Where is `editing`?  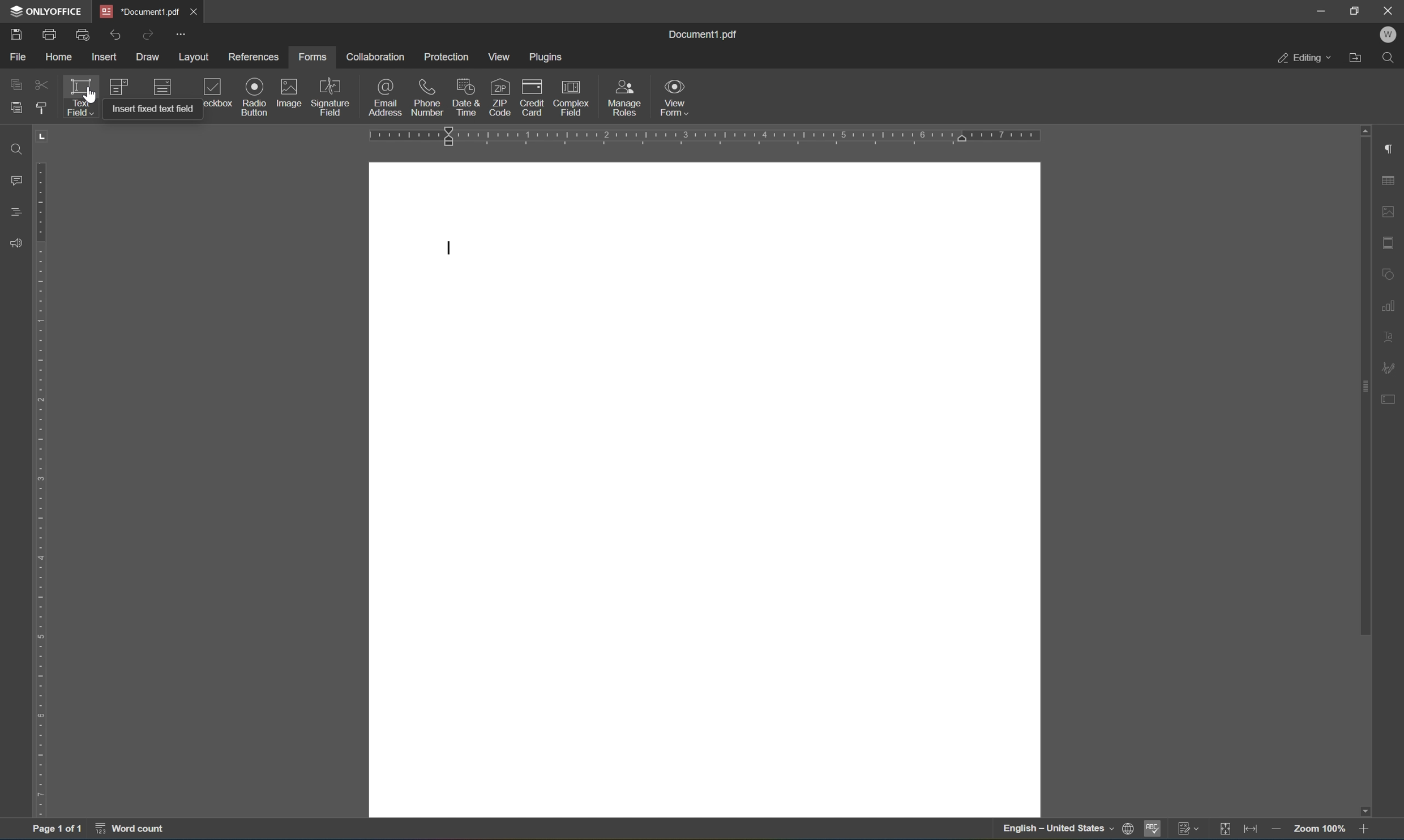 editing is located at coordinates (1302, 58).